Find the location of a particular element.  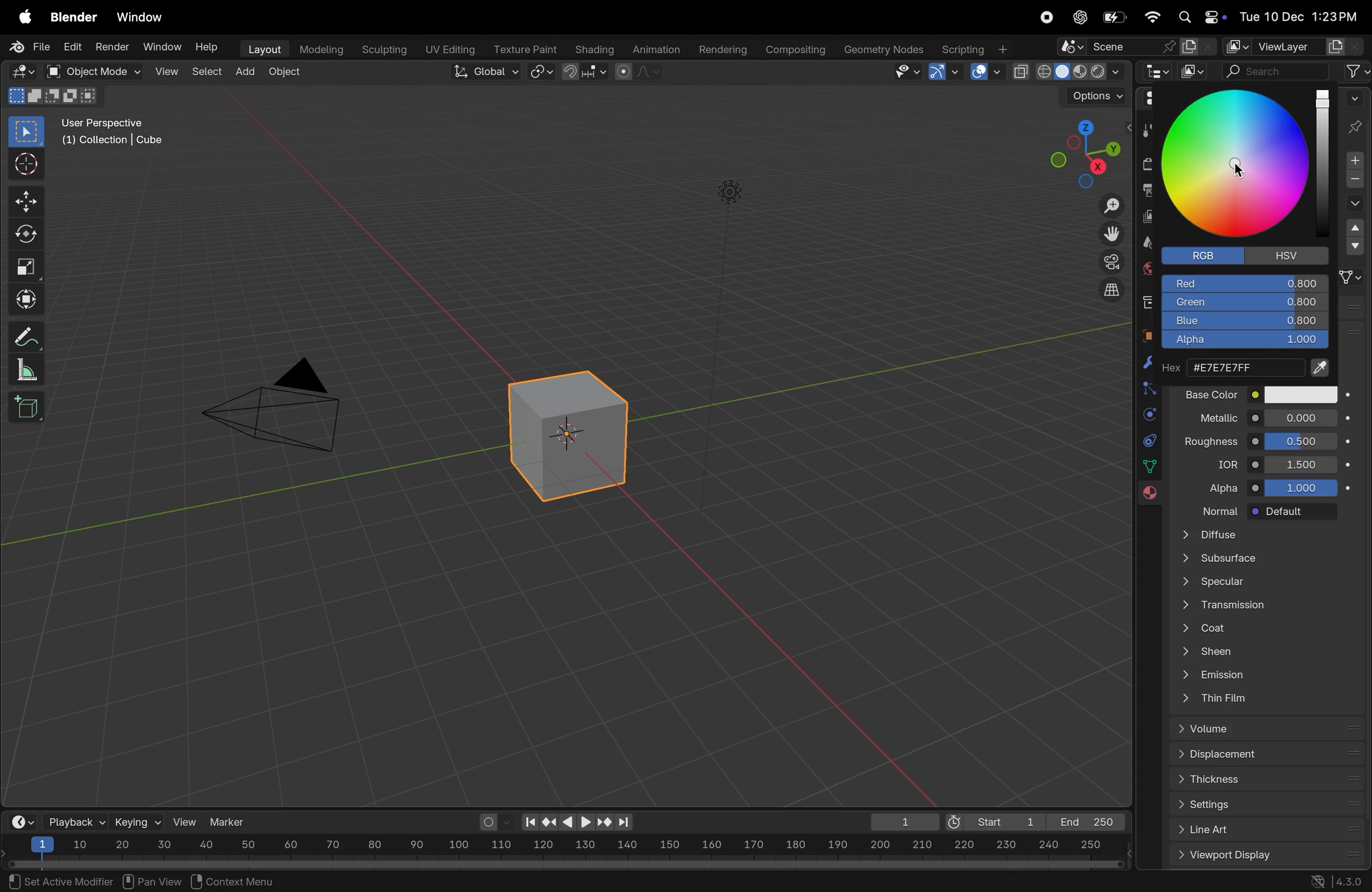

0.00 is located at coordinates (1301, 417).